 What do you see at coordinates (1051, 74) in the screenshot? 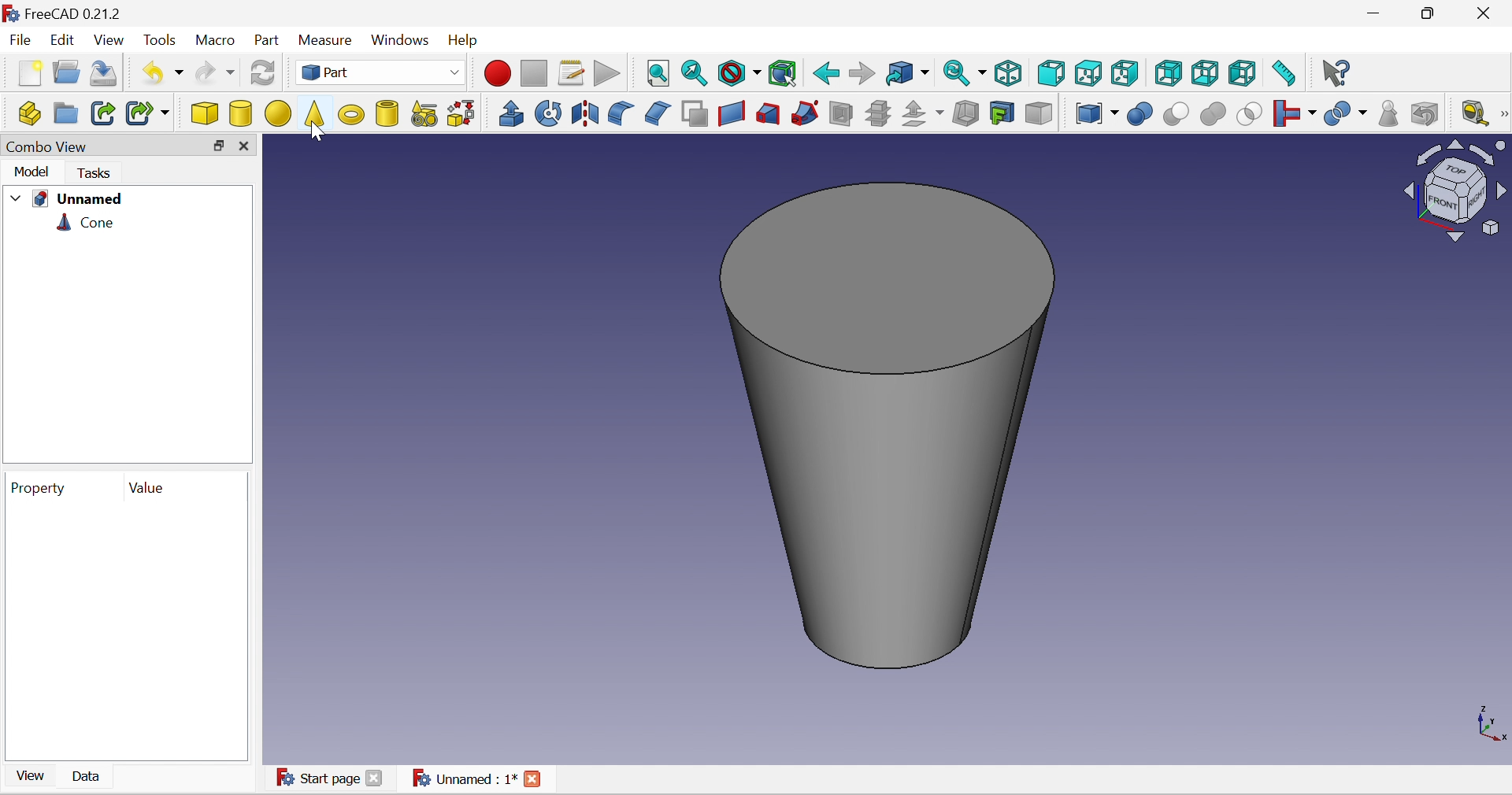
I see `Front` at bounding box center [1051, 74].